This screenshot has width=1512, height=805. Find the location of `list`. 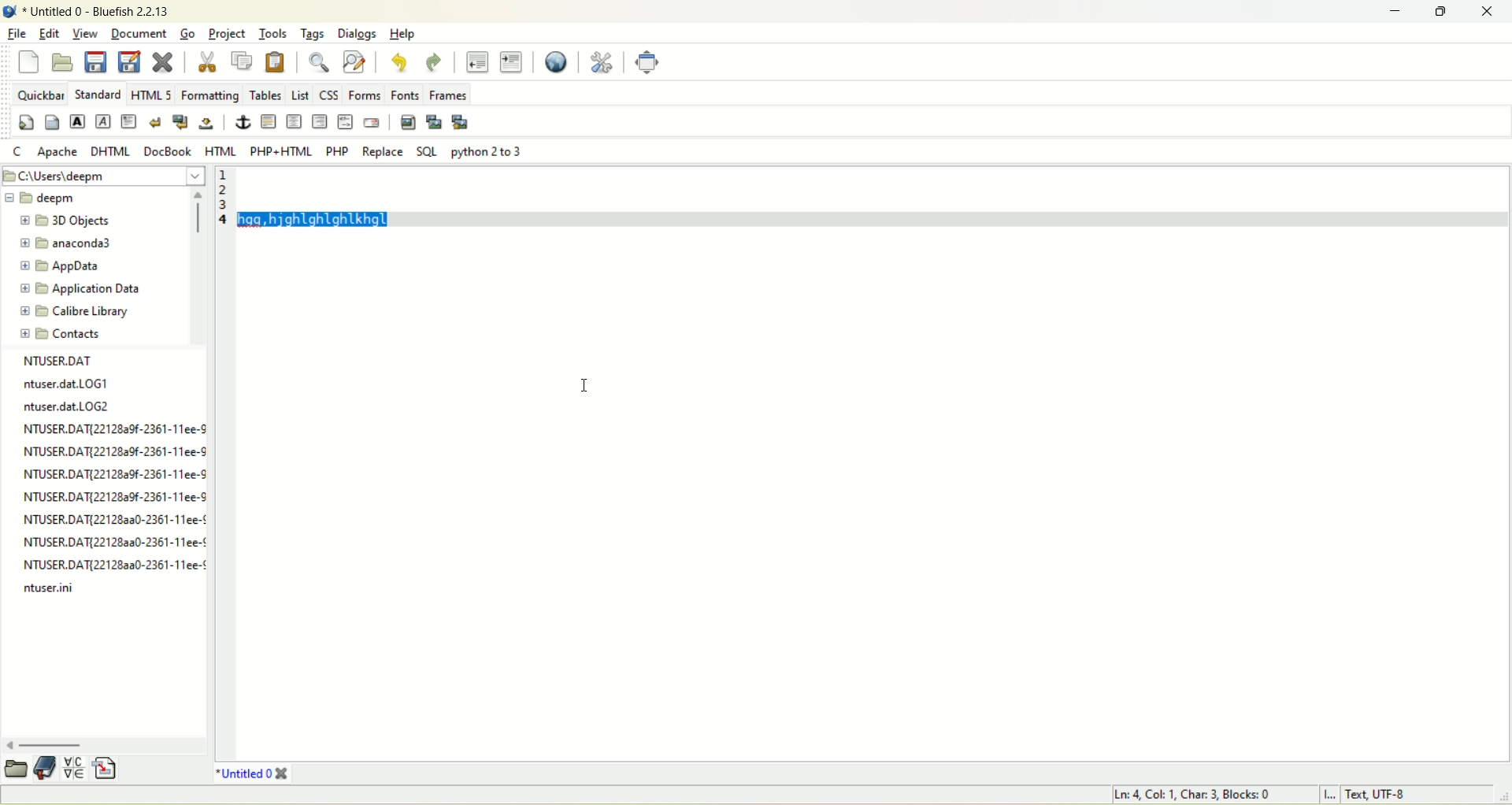

list is located at coordinates (300, 96).